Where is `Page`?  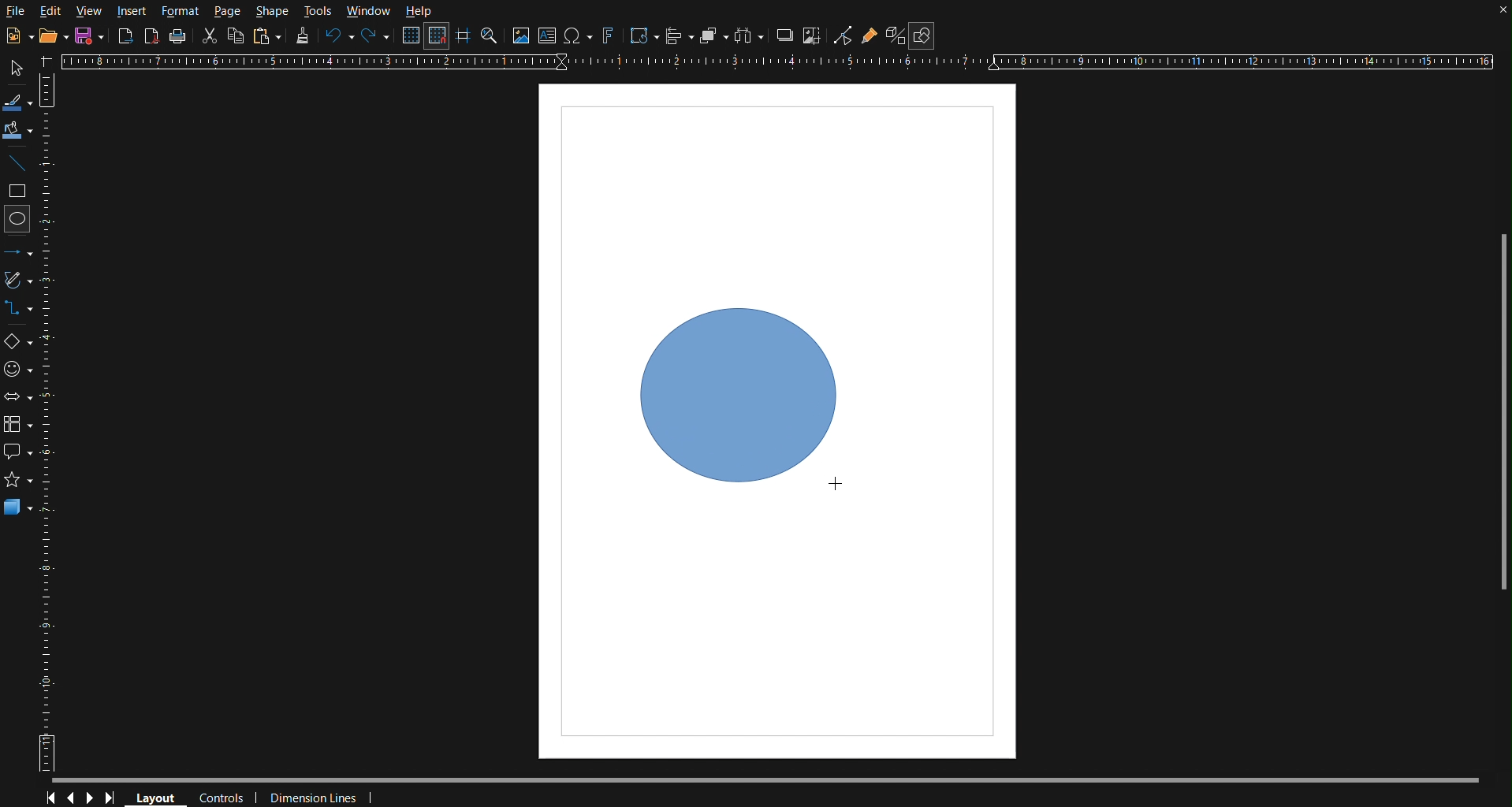
Page is located at coordinates (229, 11).